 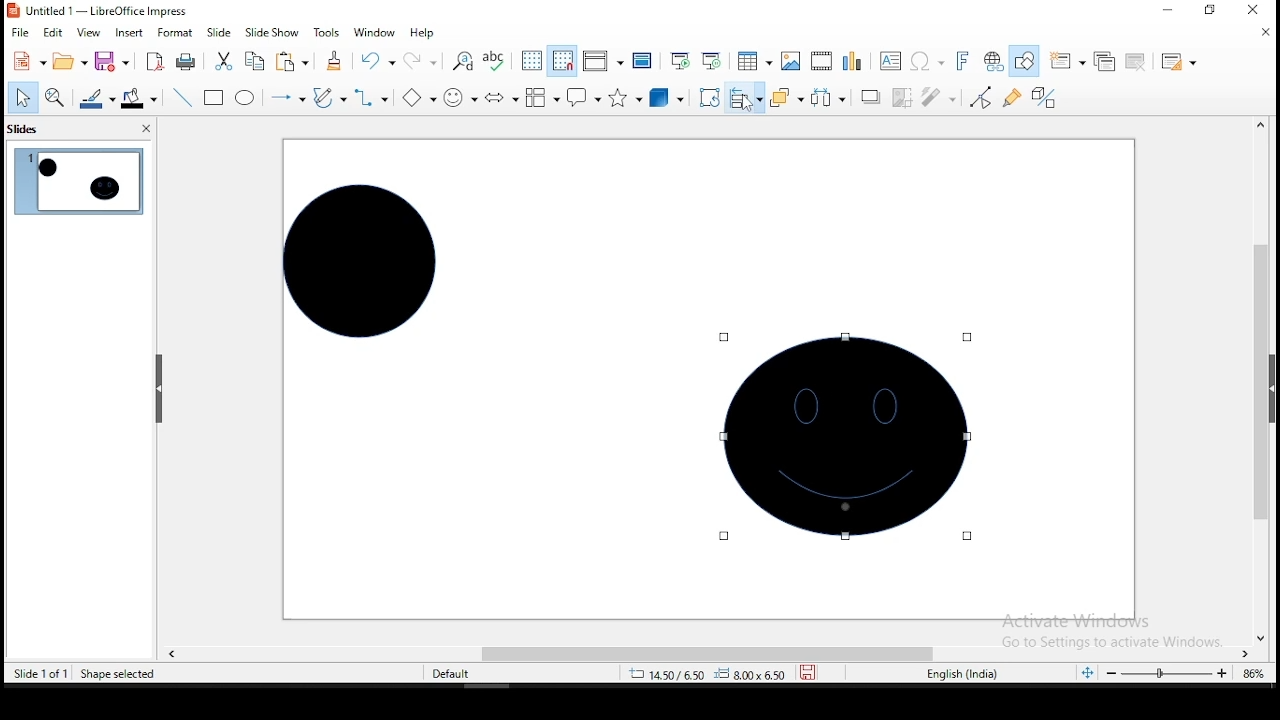 What do you see at coordinates (176, 33) in the screenshot?
I see `format` at bounding box center [176, 33].